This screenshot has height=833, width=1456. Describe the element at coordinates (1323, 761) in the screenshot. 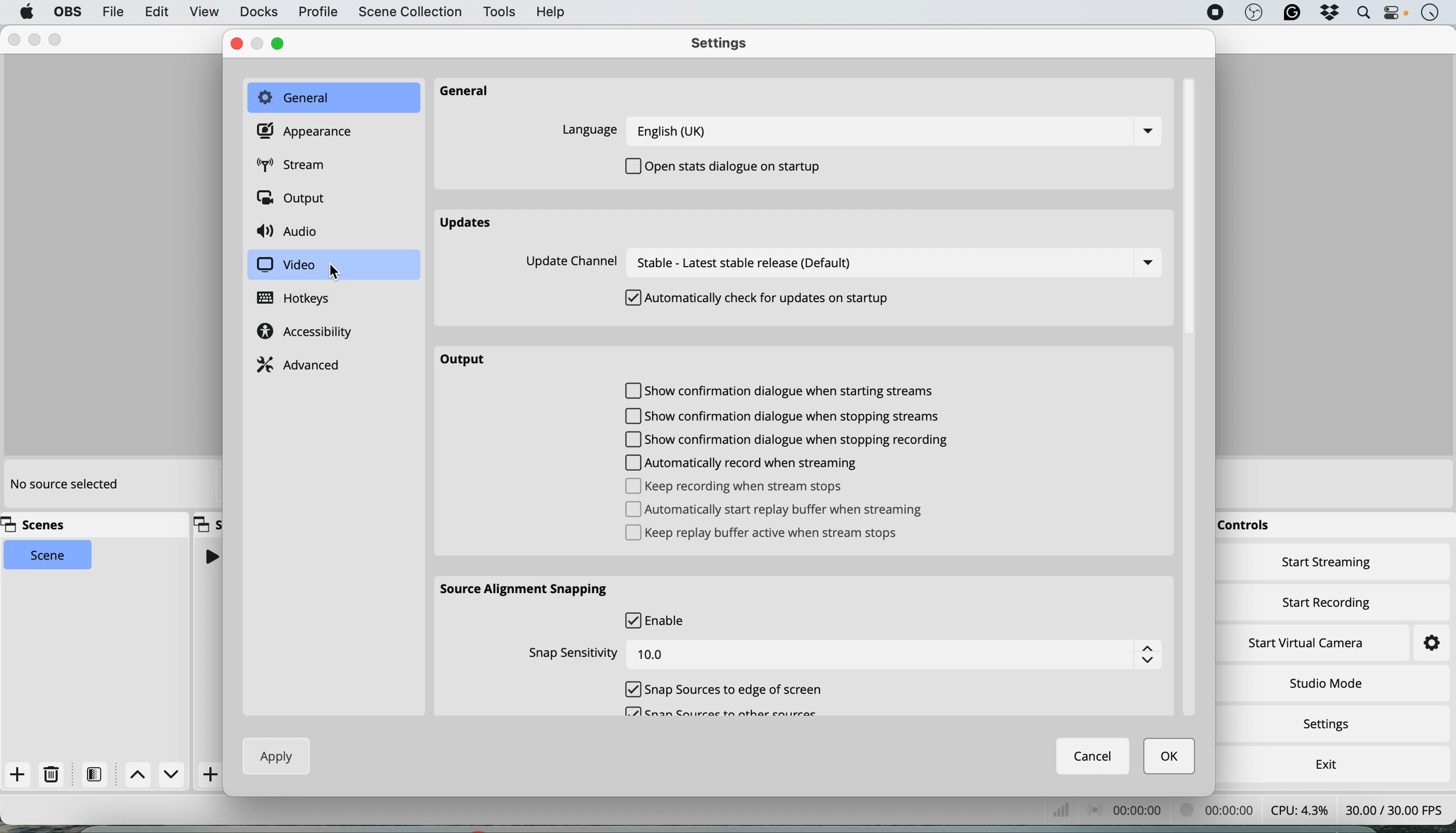

I see `exit` at that location.